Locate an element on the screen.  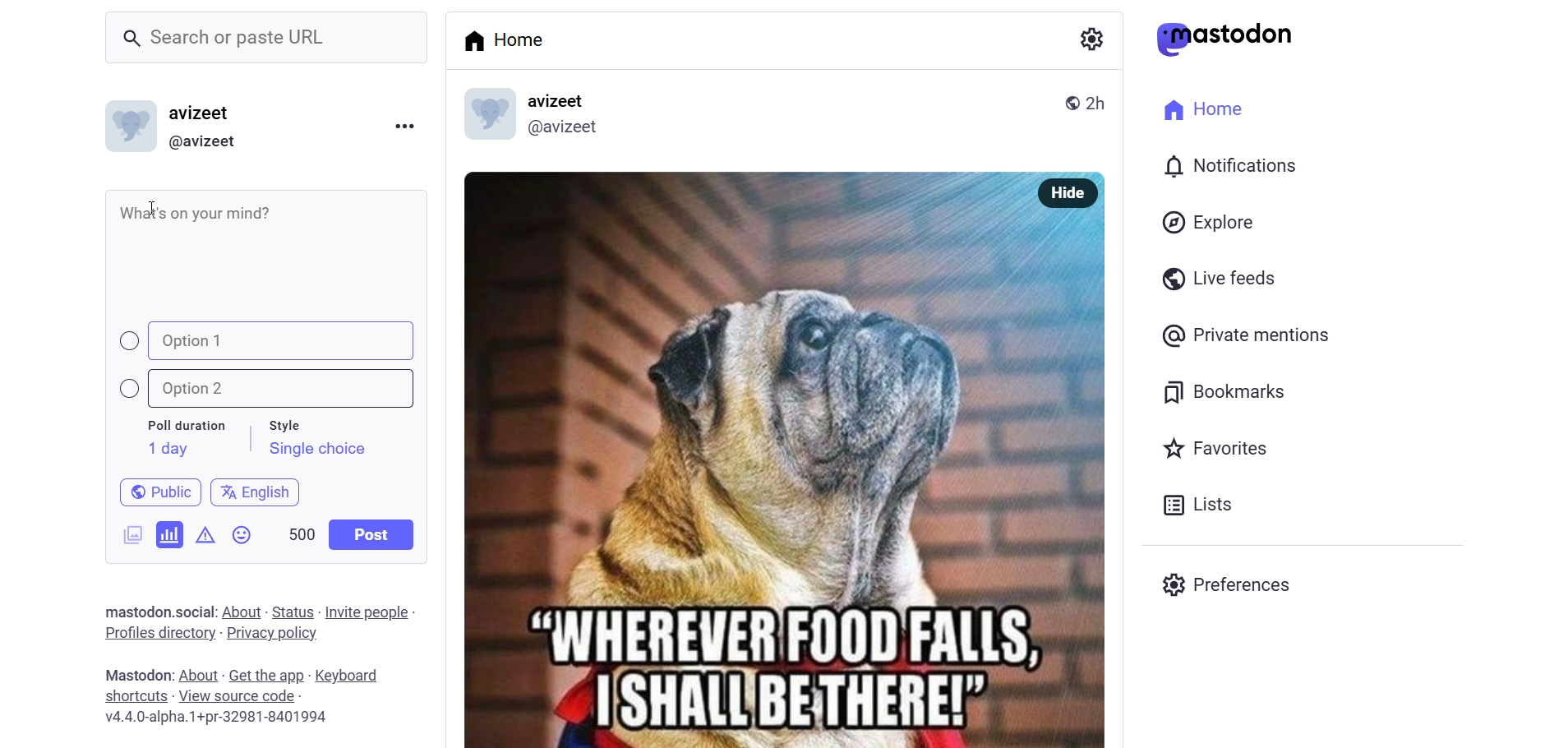
keyboard is located at coordinates (354, 676).